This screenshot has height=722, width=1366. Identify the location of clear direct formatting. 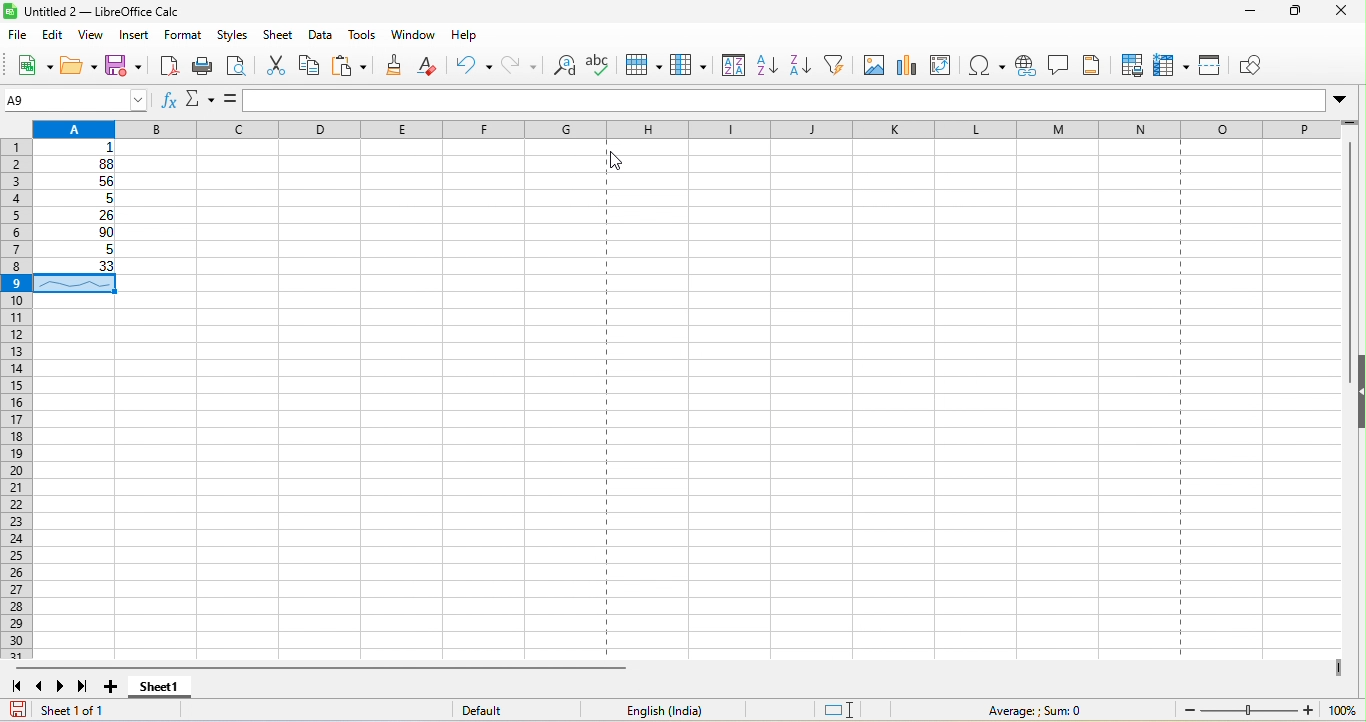
(433, 66).